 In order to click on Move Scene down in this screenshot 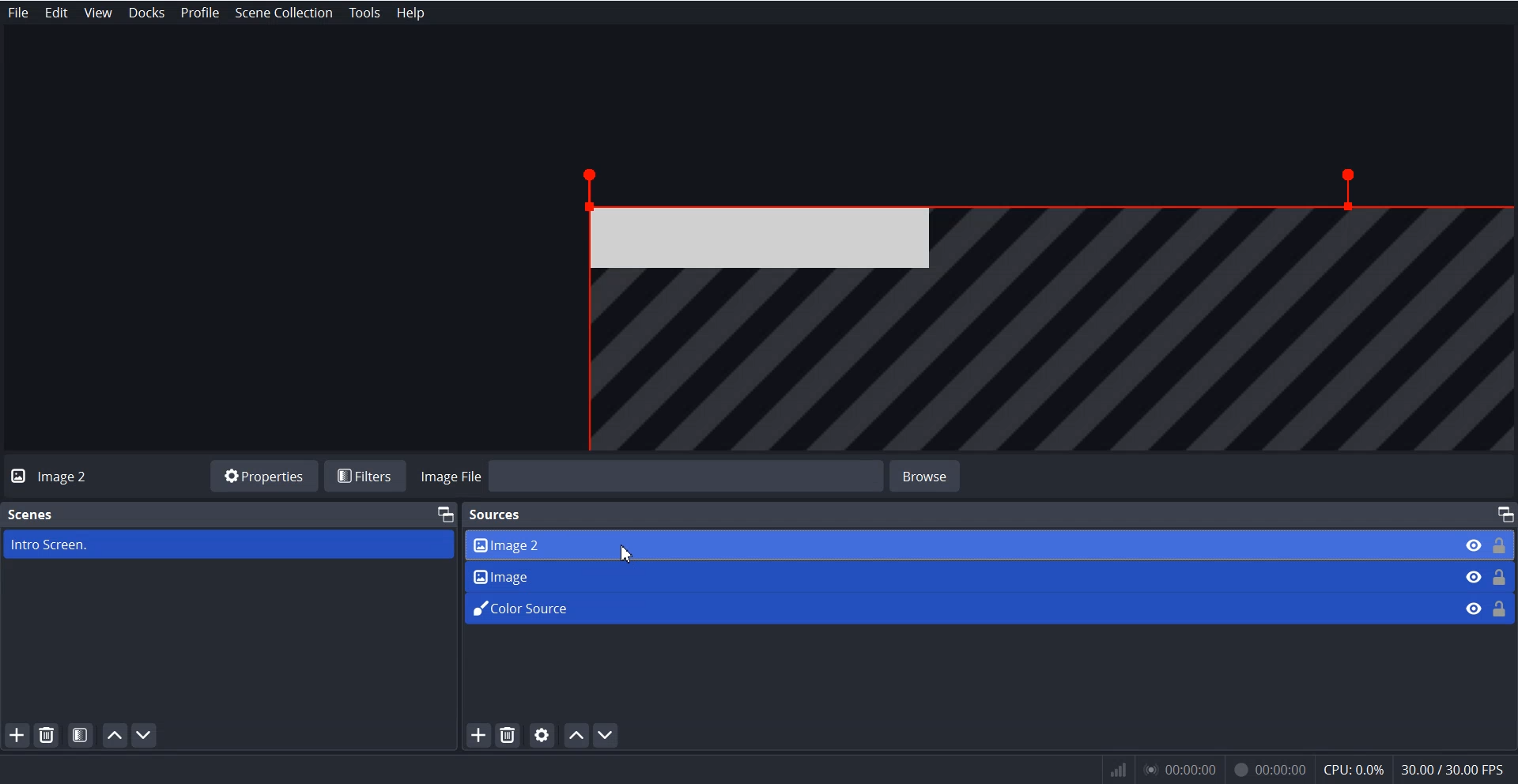, I will do `click(609, 735)`.